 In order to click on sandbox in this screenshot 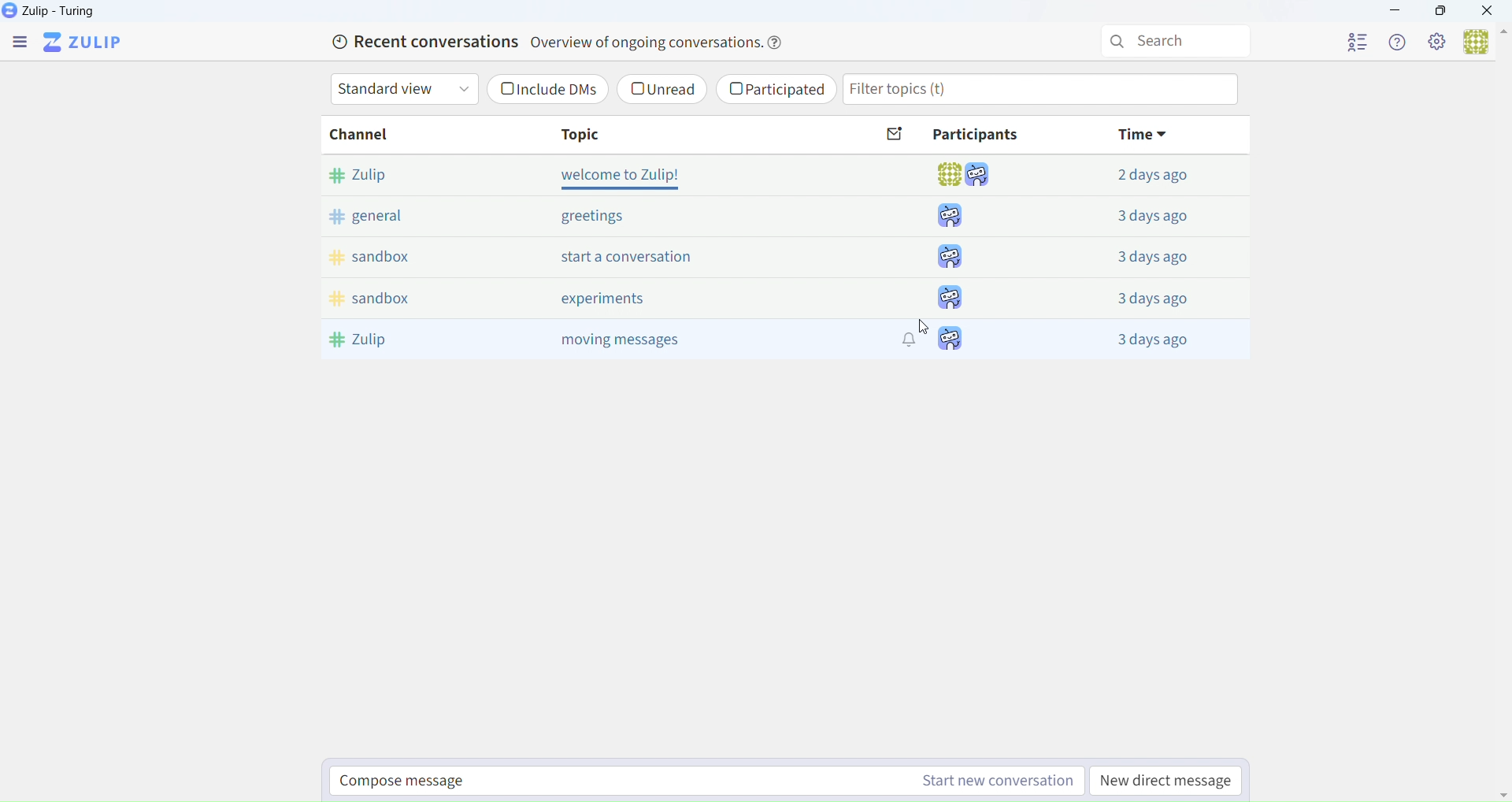, I will do `click(381, 254)`.